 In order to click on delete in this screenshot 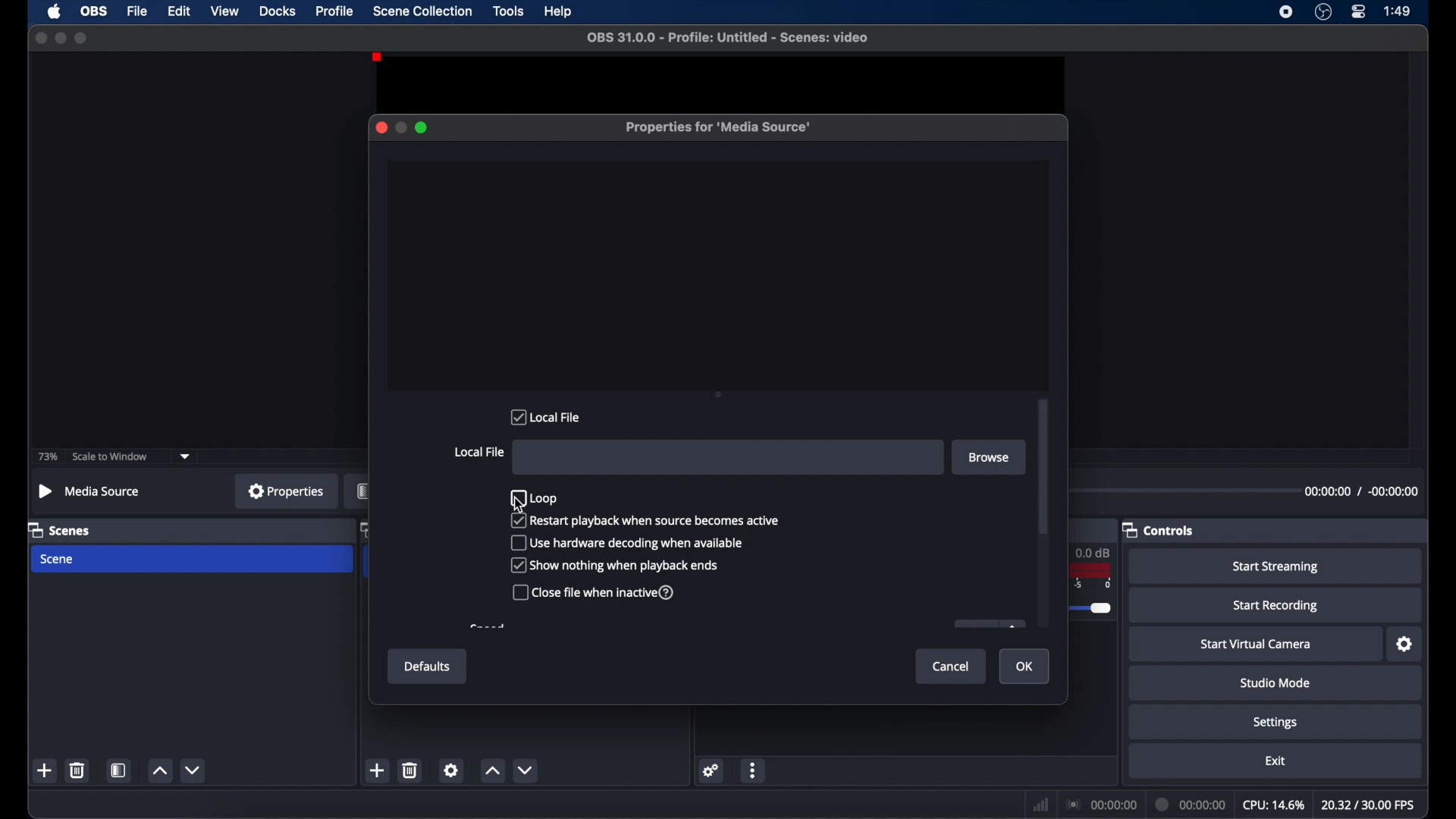, I will do `click(410, 771)`.